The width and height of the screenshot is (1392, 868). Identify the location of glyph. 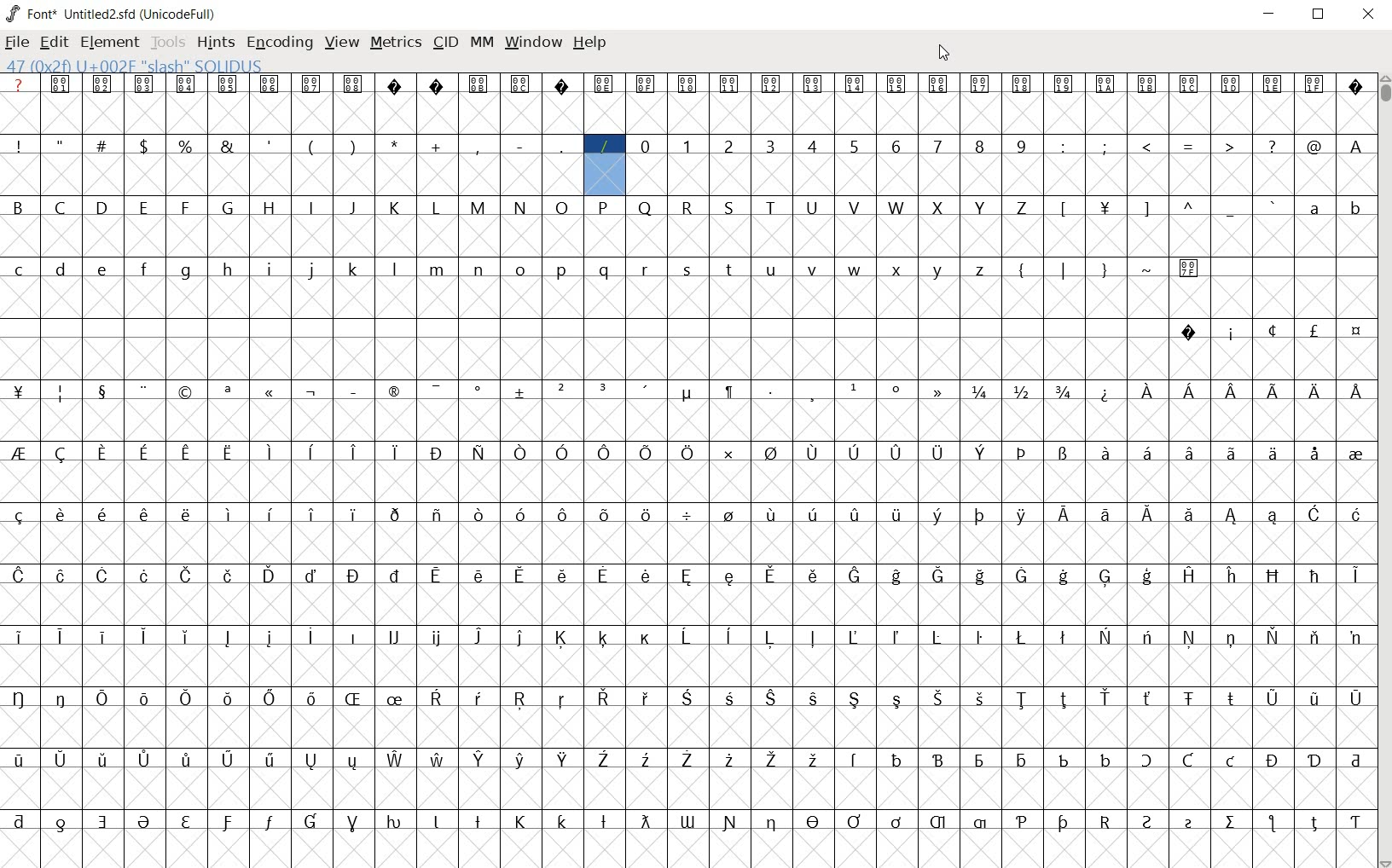
(688, 270).